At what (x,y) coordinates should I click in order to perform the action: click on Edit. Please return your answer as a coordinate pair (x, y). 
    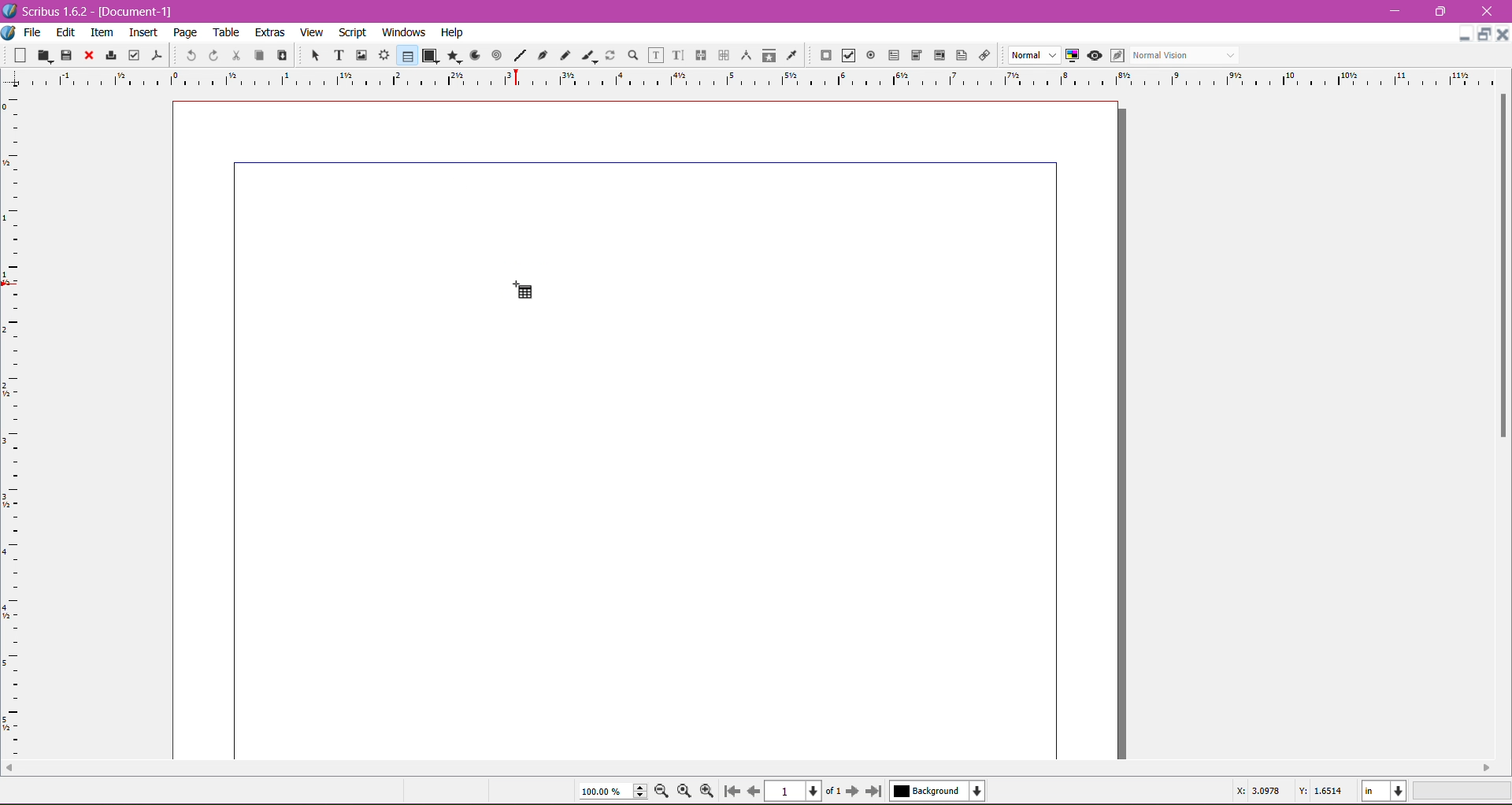
    Looking at the image, I should click on (67, 32).